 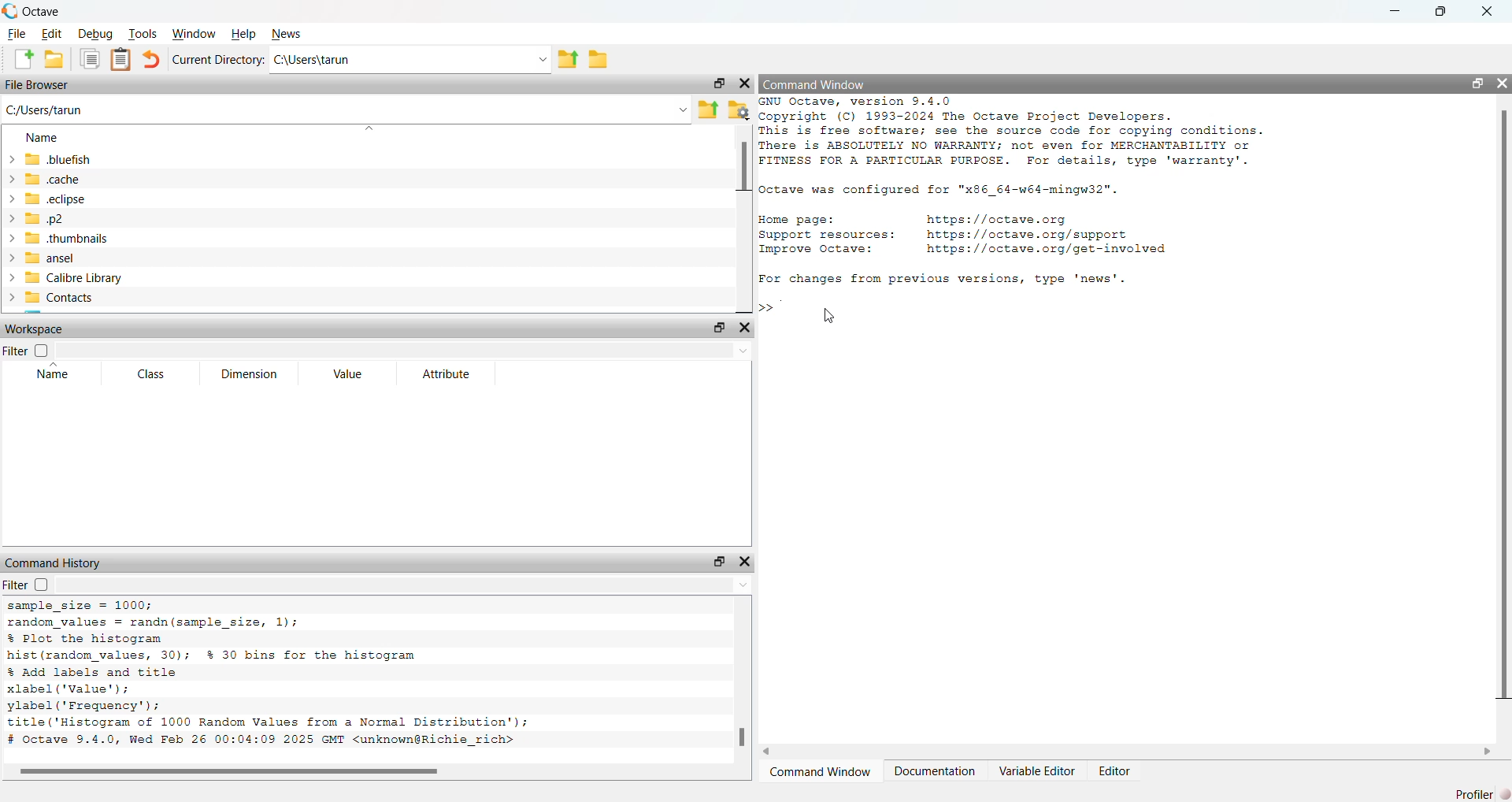 What do you see at coordinates (821, 773) in the screenshot?
I see `Command Window` at bounding box center [821, 773].